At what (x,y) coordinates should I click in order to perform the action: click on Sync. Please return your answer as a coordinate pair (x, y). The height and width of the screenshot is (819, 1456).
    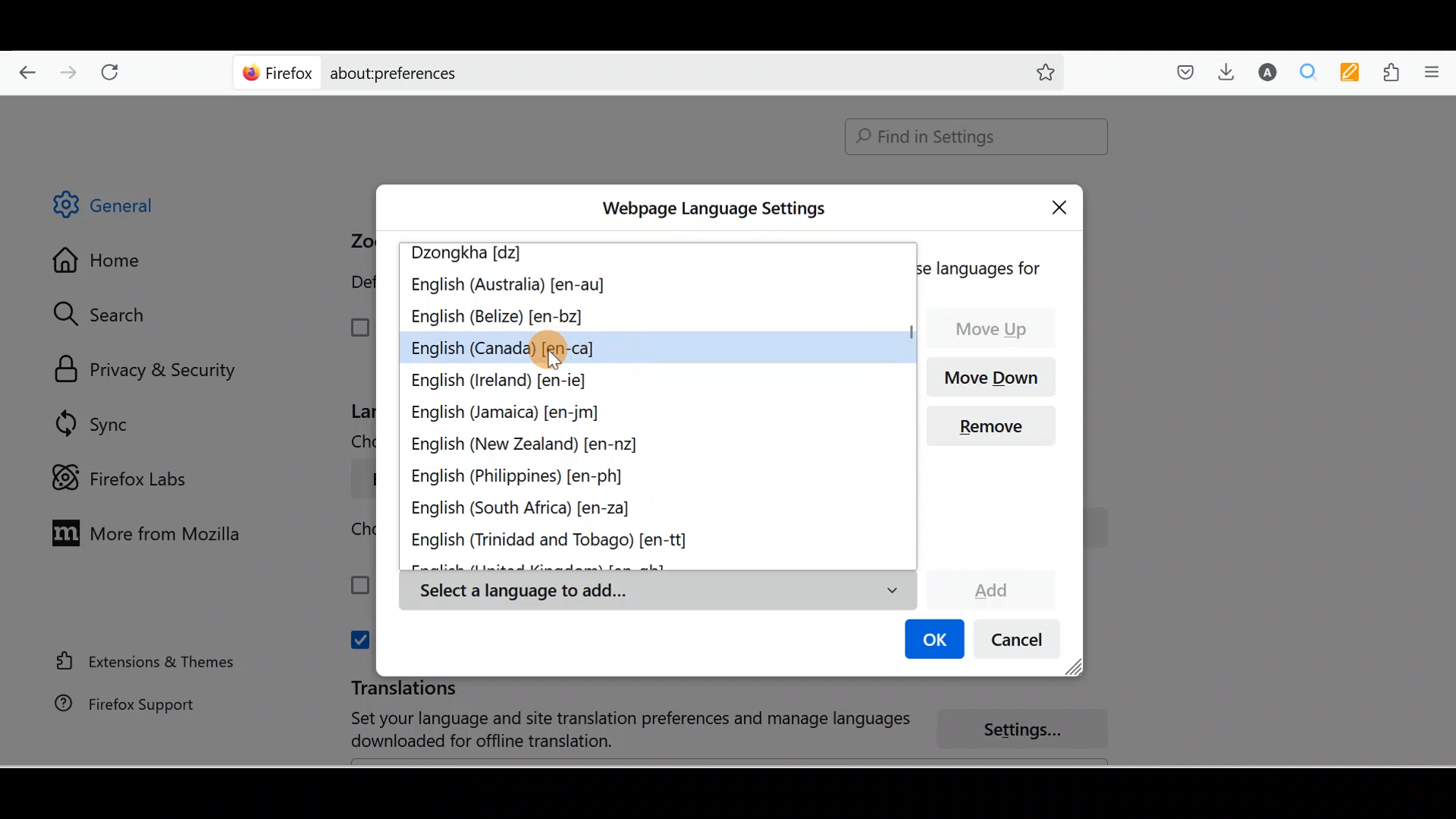
    Looking at the image, I should click on (95, 423).